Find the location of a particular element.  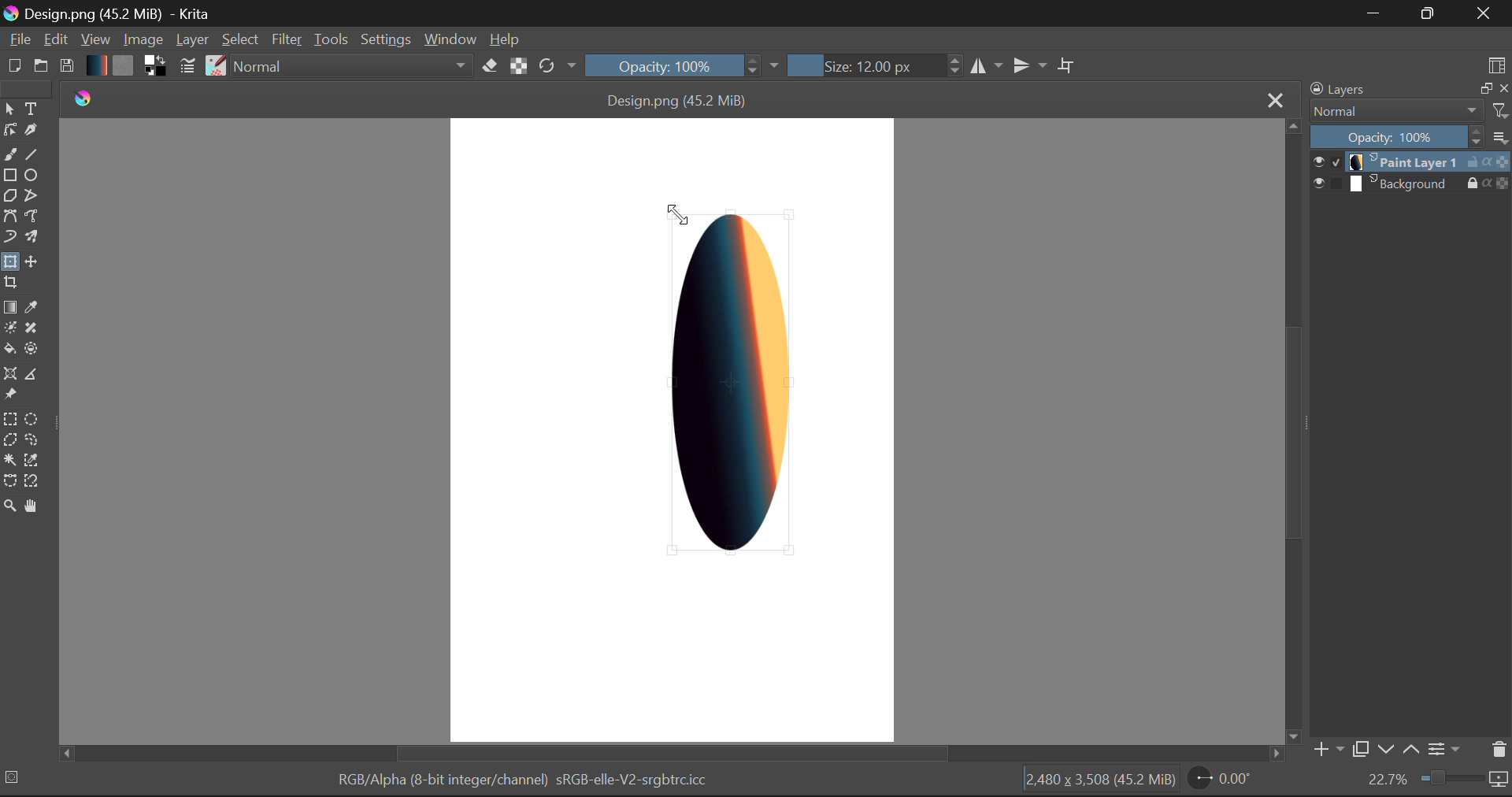

Colors in use is located at coordinates (155, 67).